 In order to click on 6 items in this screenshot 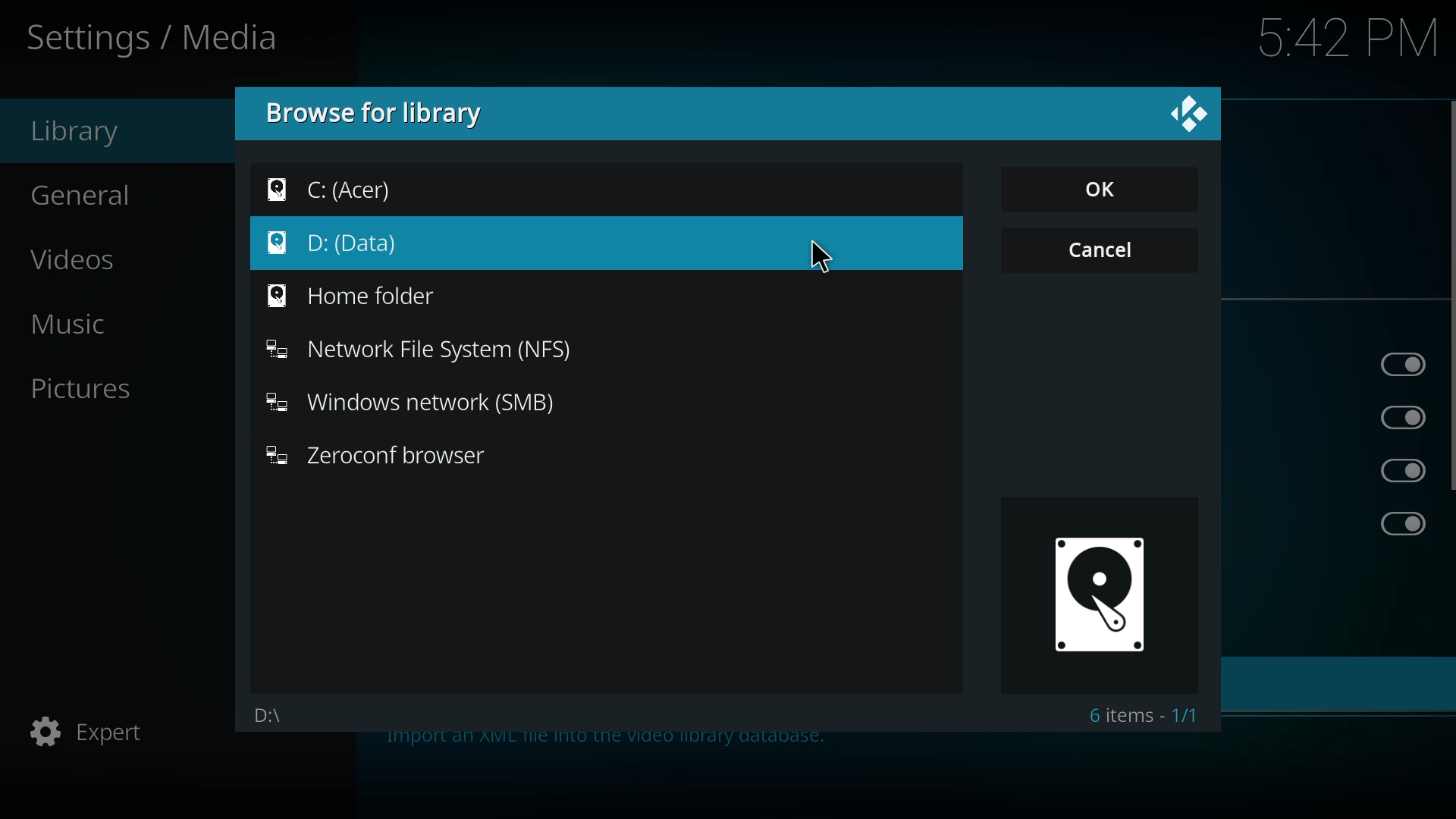, I will do `click(1137, 715)`.